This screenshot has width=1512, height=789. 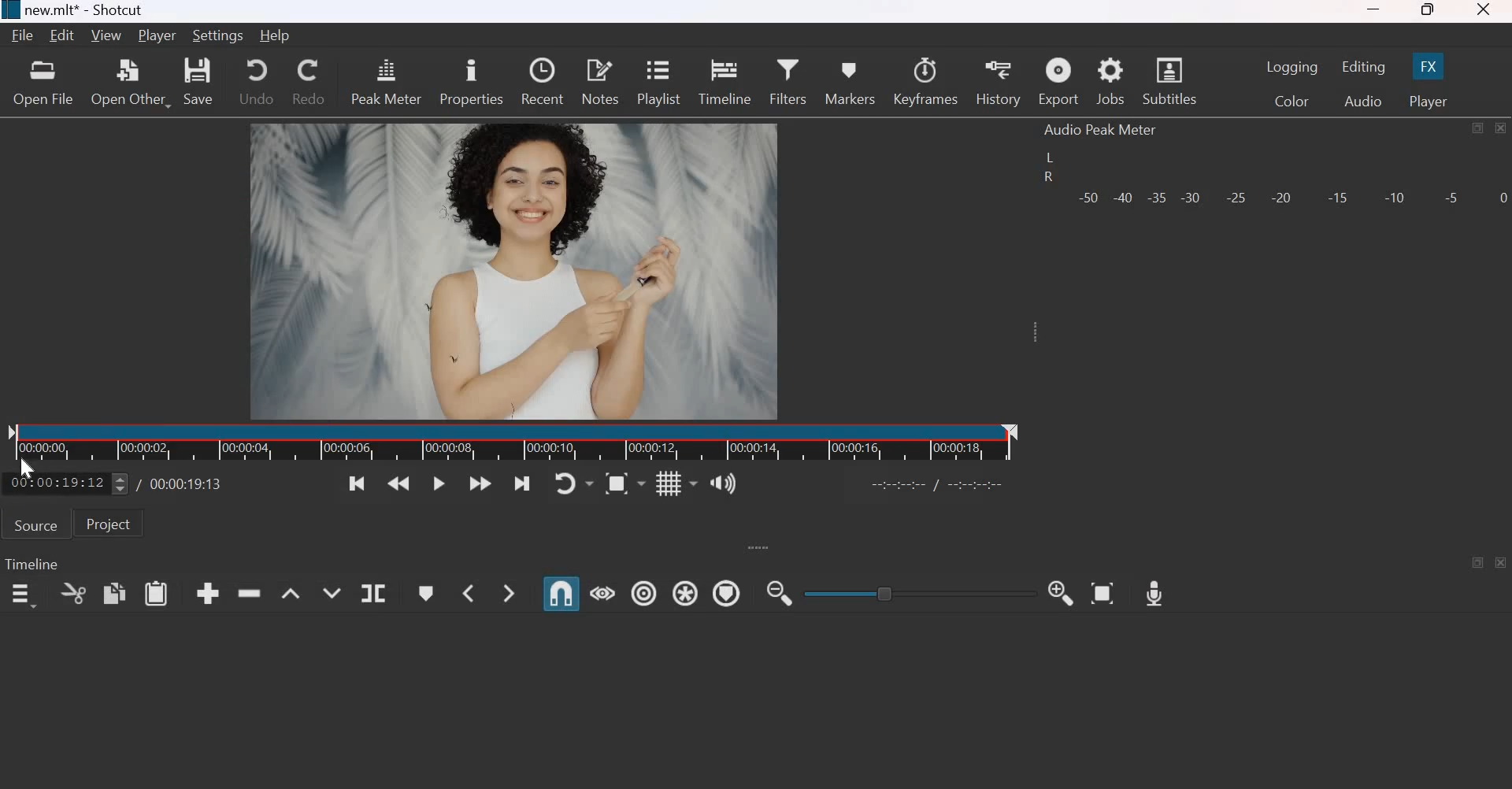 I want to click on paste, so click(x=157, y=592).